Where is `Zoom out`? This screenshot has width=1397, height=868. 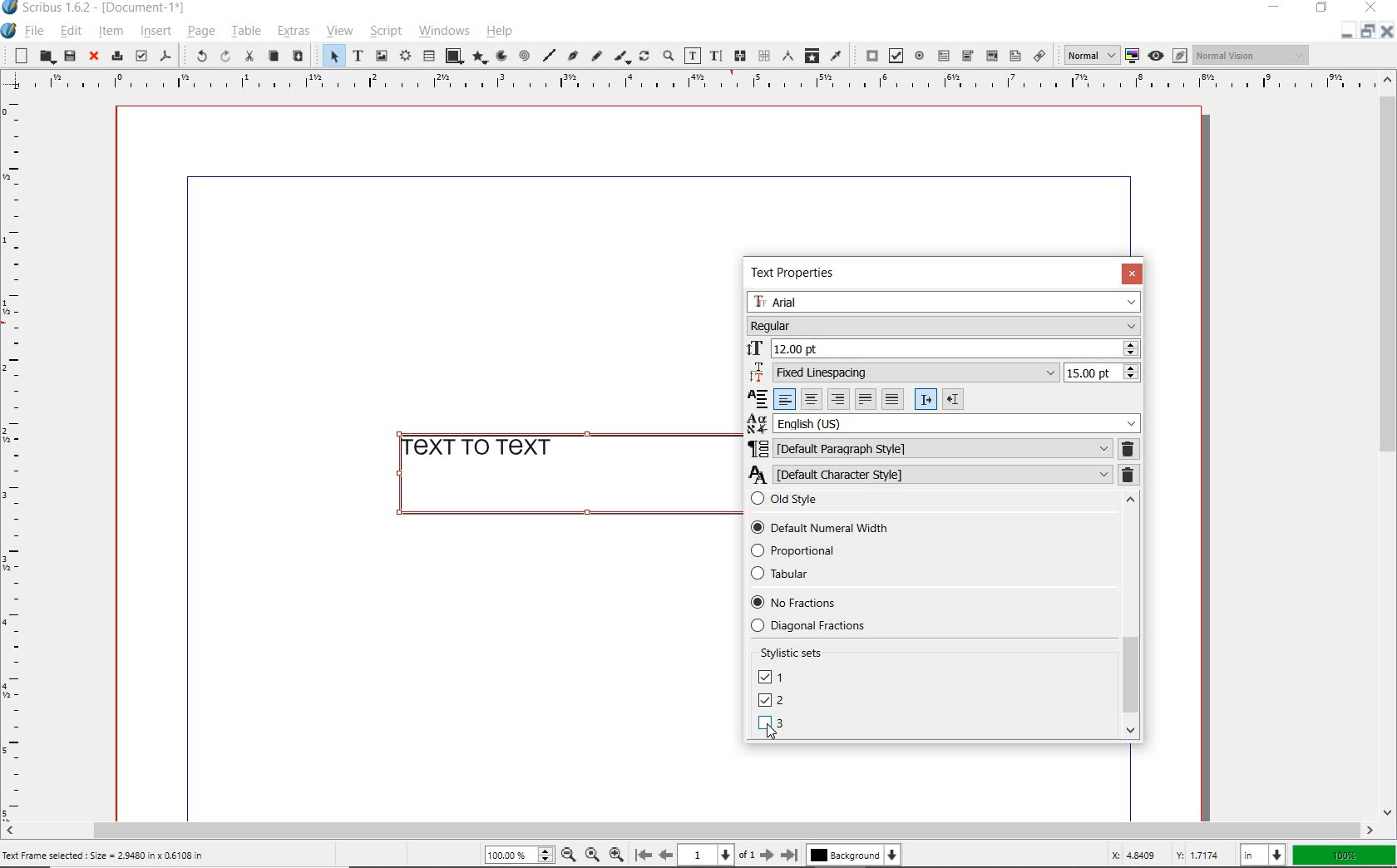
Zoom out is located at coordinates (565, 855).